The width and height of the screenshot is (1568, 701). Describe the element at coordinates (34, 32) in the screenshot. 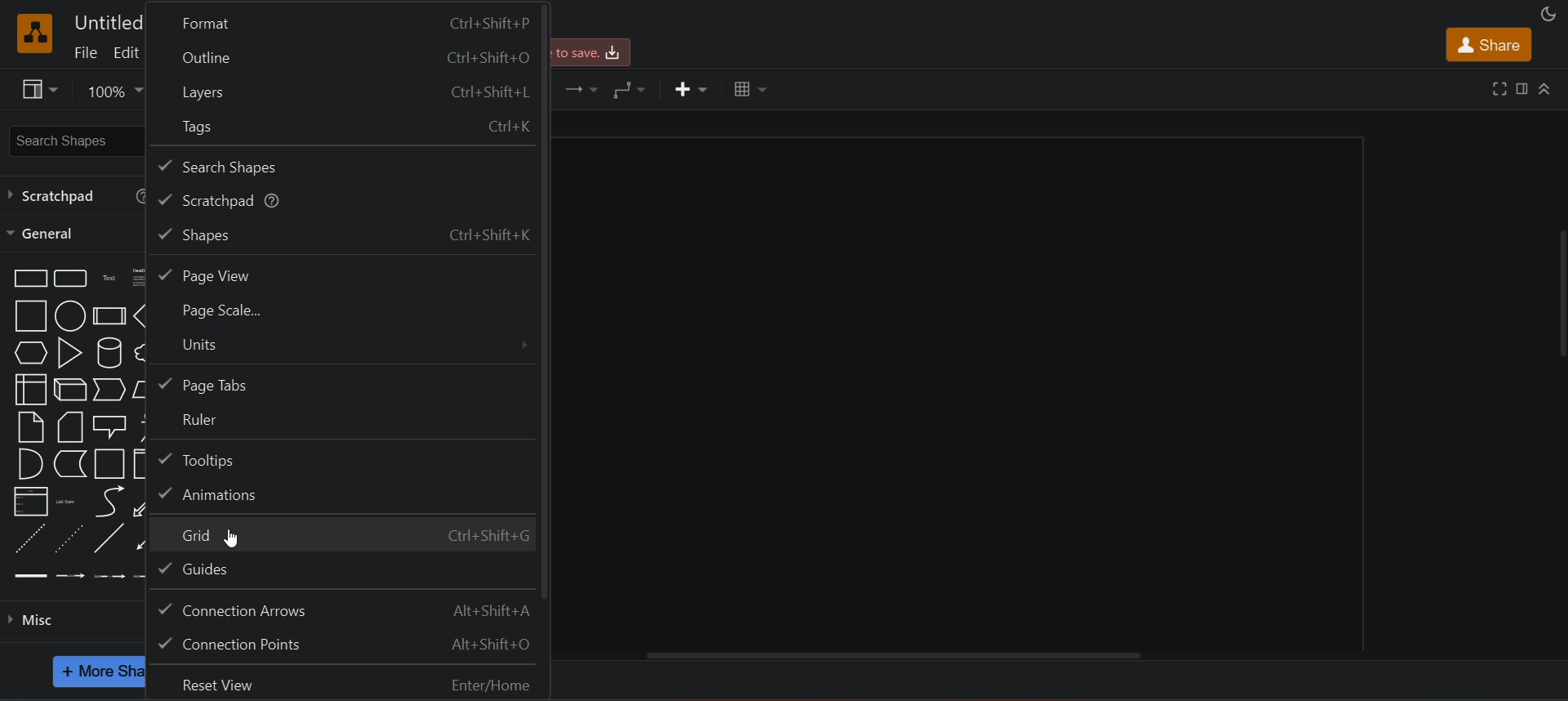

I see `logo` at that location.